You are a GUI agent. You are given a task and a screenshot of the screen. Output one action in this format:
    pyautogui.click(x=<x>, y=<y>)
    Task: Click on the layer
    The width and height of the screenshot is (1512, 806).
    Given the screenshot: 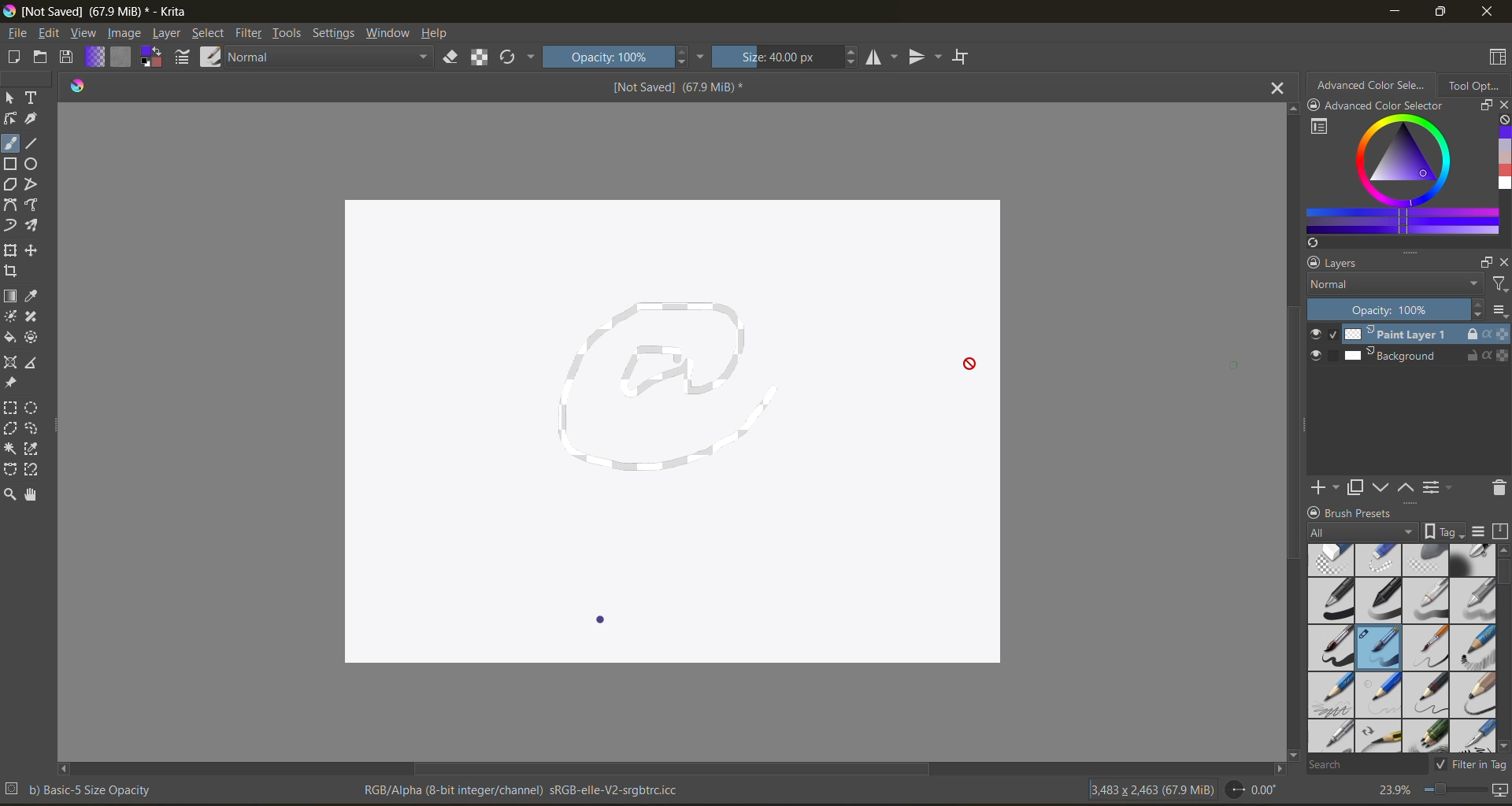 What is the action you would take?
    pyautogui.click(x=166, y=34)
    